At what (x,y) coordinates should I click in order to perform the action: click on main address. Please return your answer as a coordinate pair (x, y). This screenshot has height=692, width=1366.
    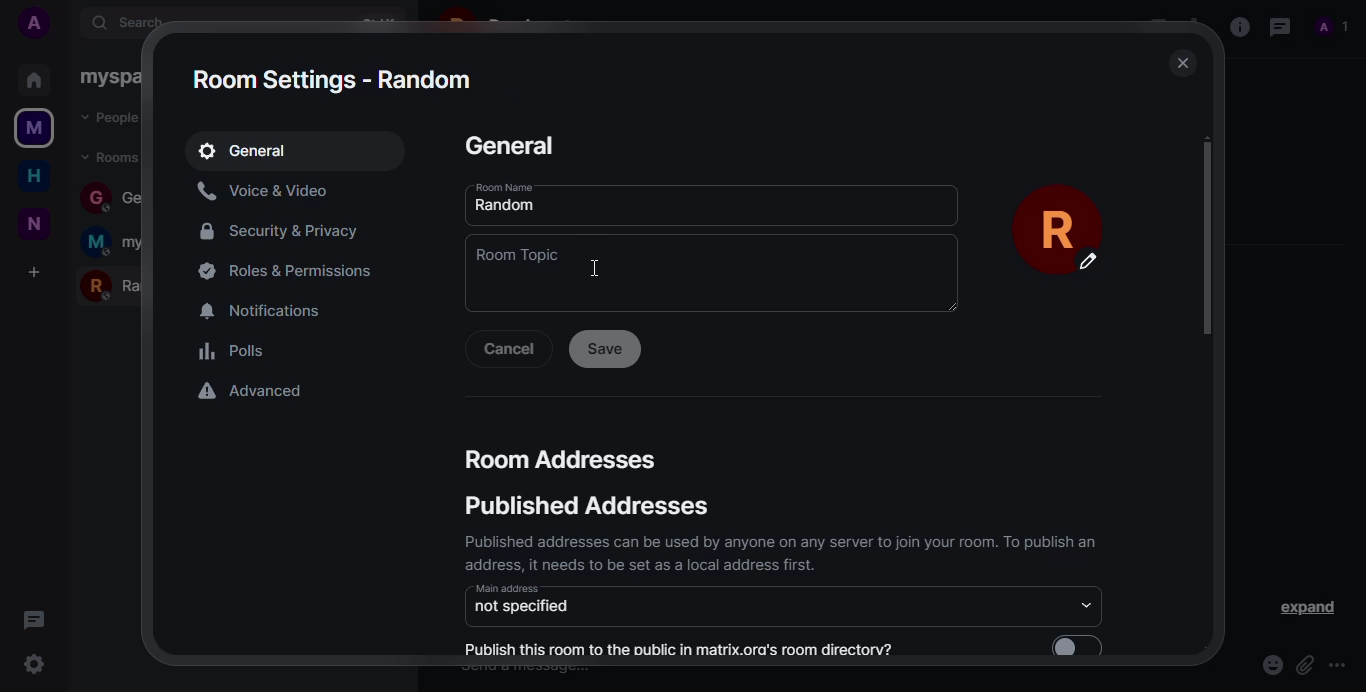
    Looking at the image, I should click on (508, 589).